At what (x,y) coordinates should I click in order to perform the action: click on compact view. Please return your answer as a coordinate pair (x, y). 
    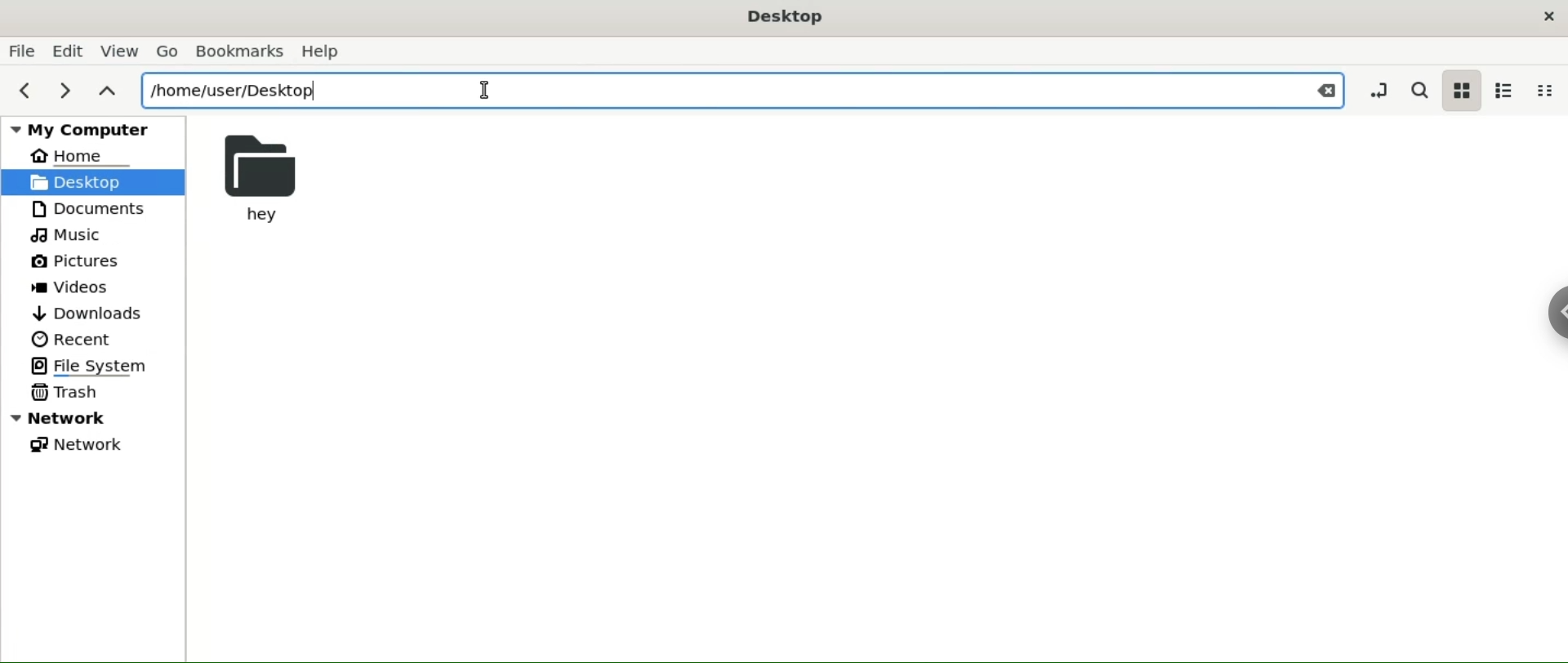
    Looking at the image, I should click on (1544, 91).